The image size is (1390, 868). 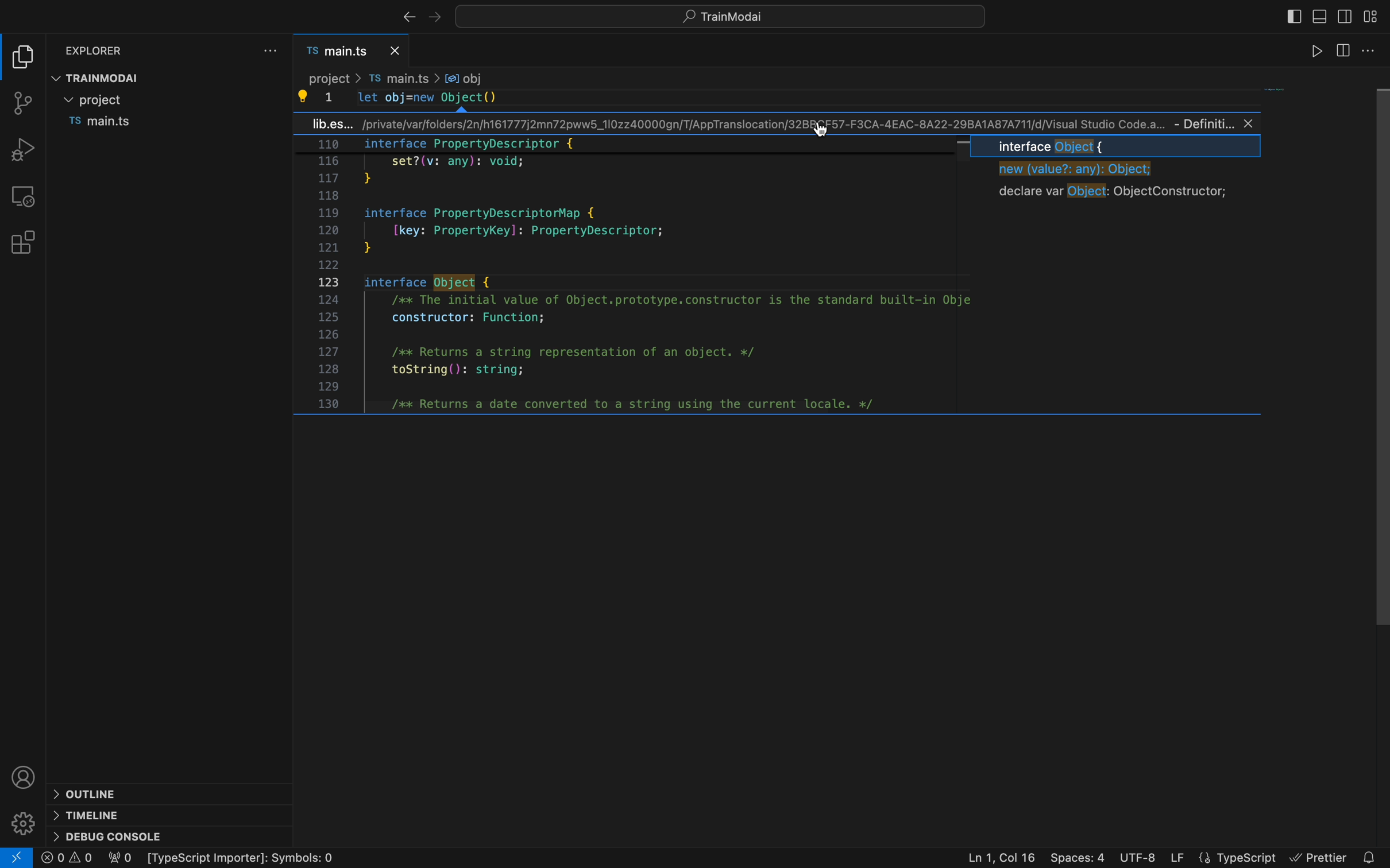 What do you see at coordinates (111, 77) in the screenshot?
I see `TRAINmodal` at bounding box center [111, 77].